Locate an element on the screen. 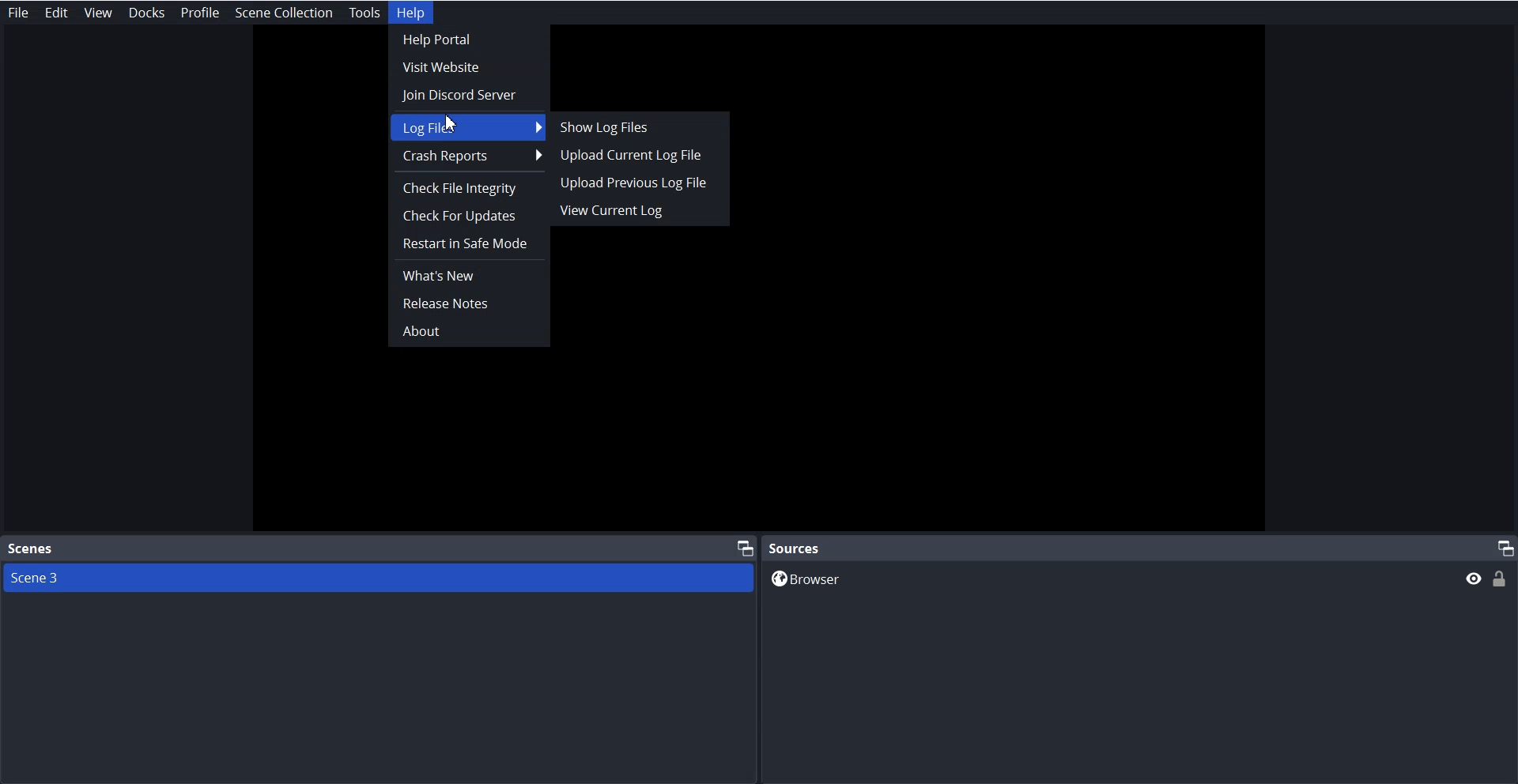 Image resolution: width=1518 pixels, height=784 pixels. Check For Updates is located at coordinates (469, 216).